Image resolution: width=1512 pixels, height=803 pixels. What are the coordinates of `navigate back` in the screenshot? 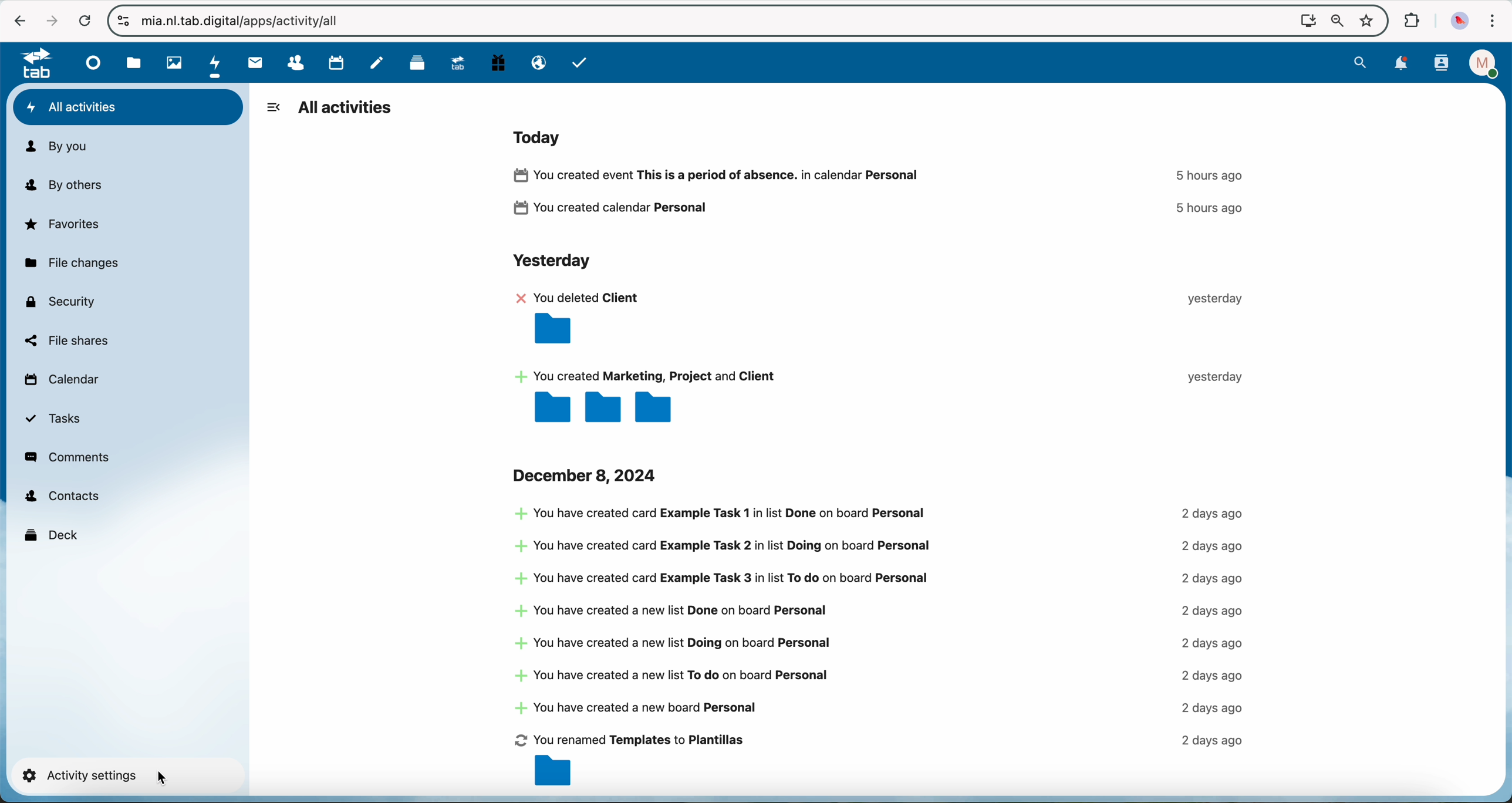 It's located at (14, 21).